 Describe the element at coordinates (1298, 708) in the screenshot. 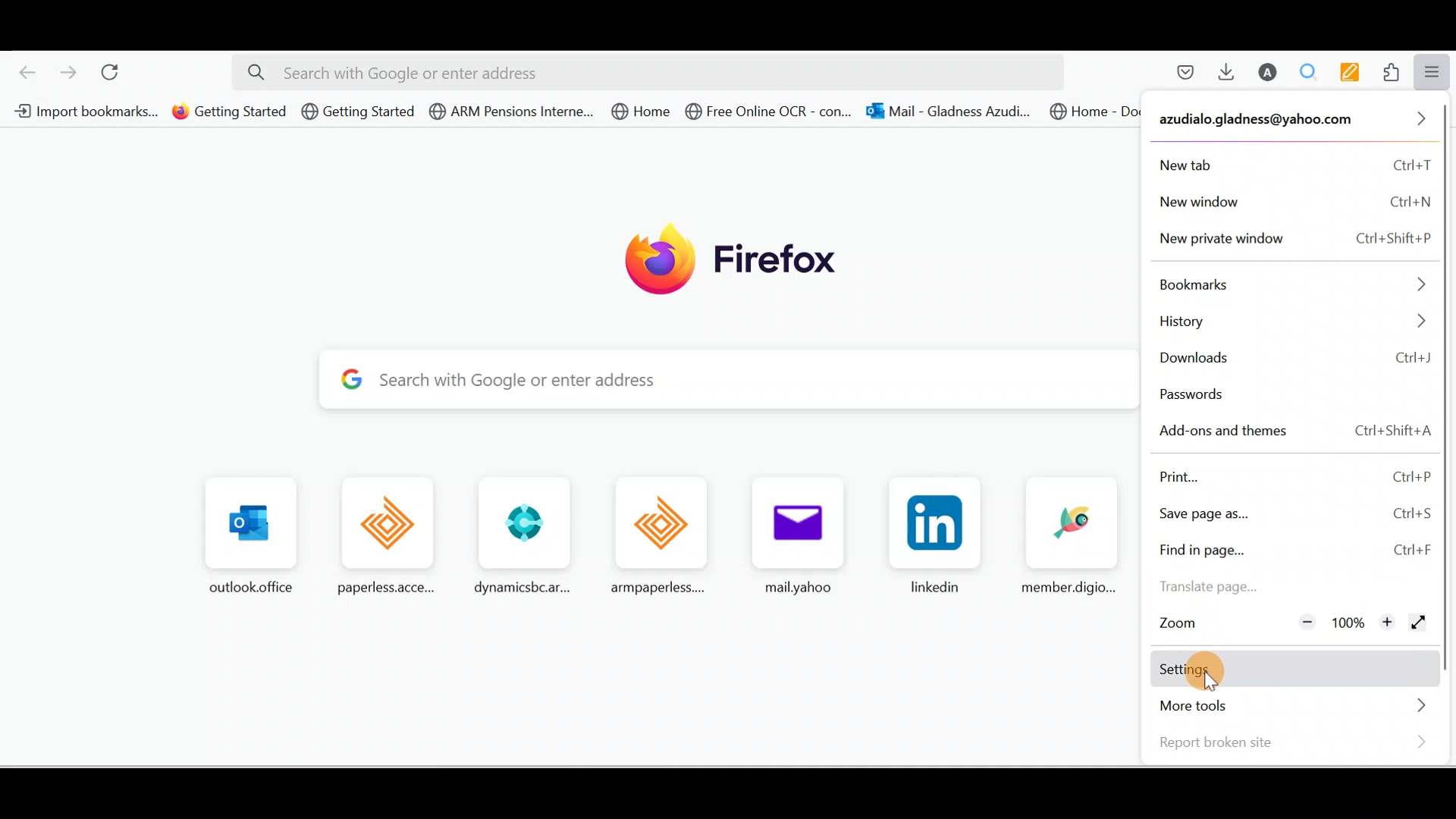

I see `More tools` at that location.